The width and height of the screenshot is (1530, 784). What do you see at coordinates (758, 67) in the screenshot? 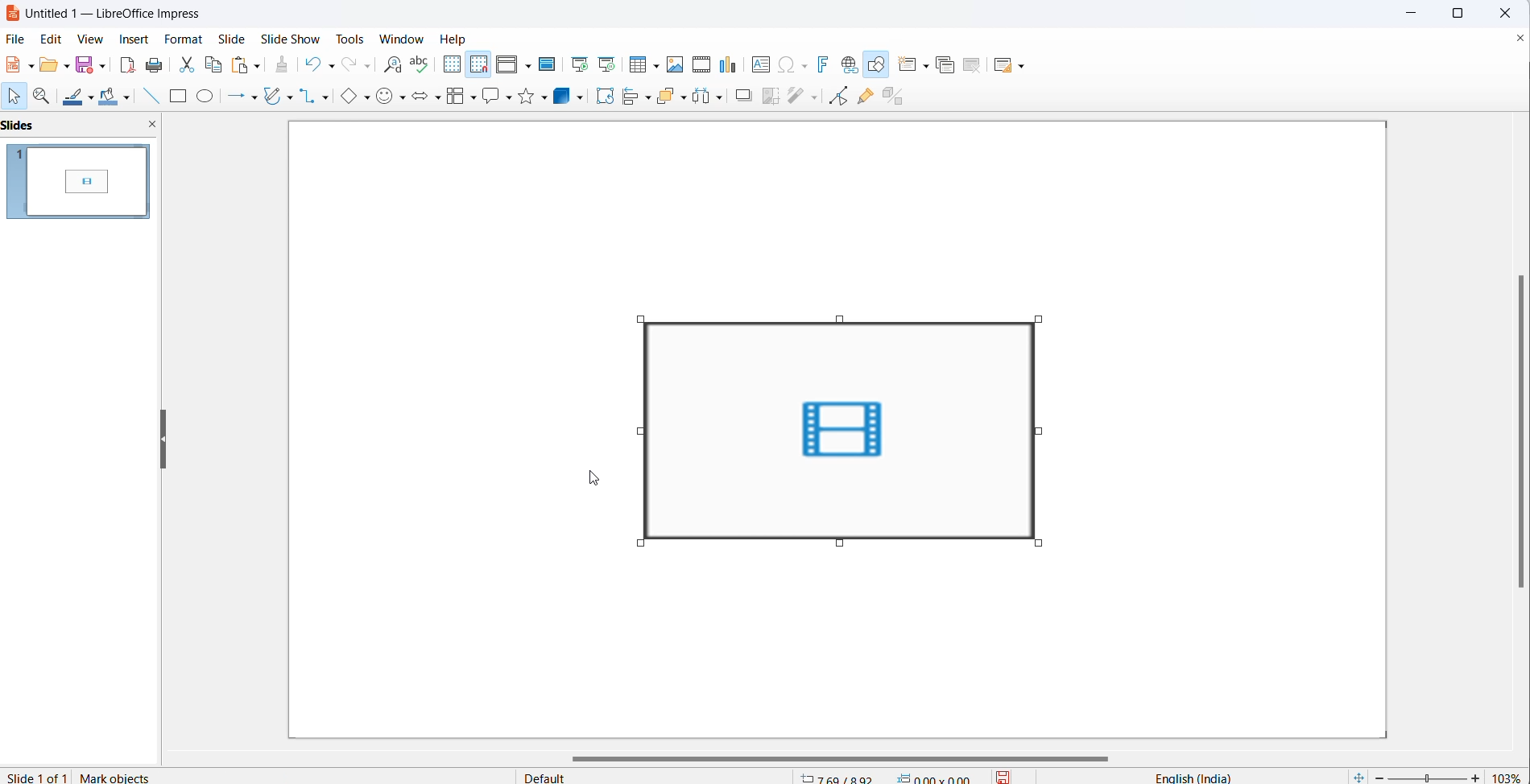
I see `insert text` at bounding box center [758, 67].